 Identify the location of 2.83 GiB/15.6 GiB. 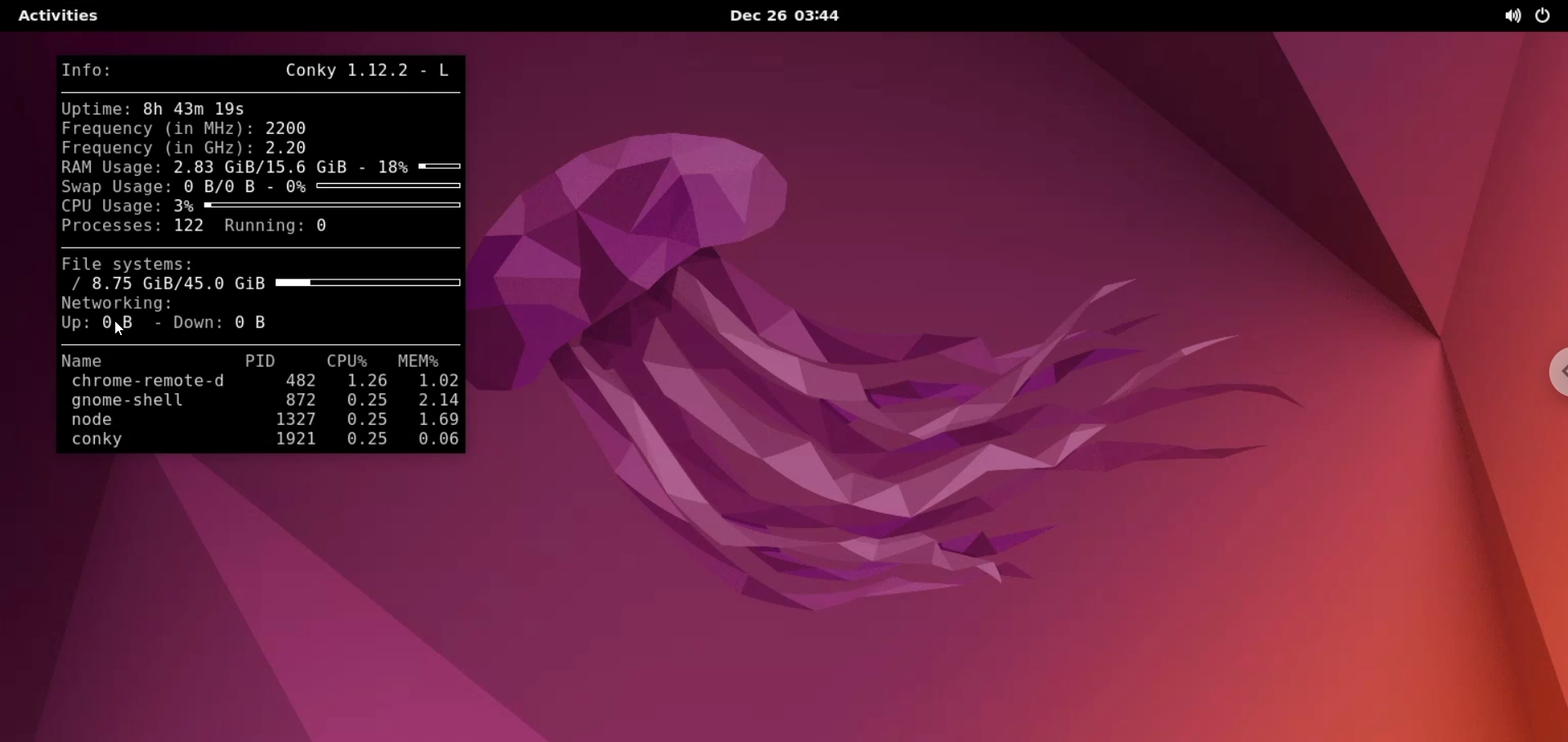
(263, 167).